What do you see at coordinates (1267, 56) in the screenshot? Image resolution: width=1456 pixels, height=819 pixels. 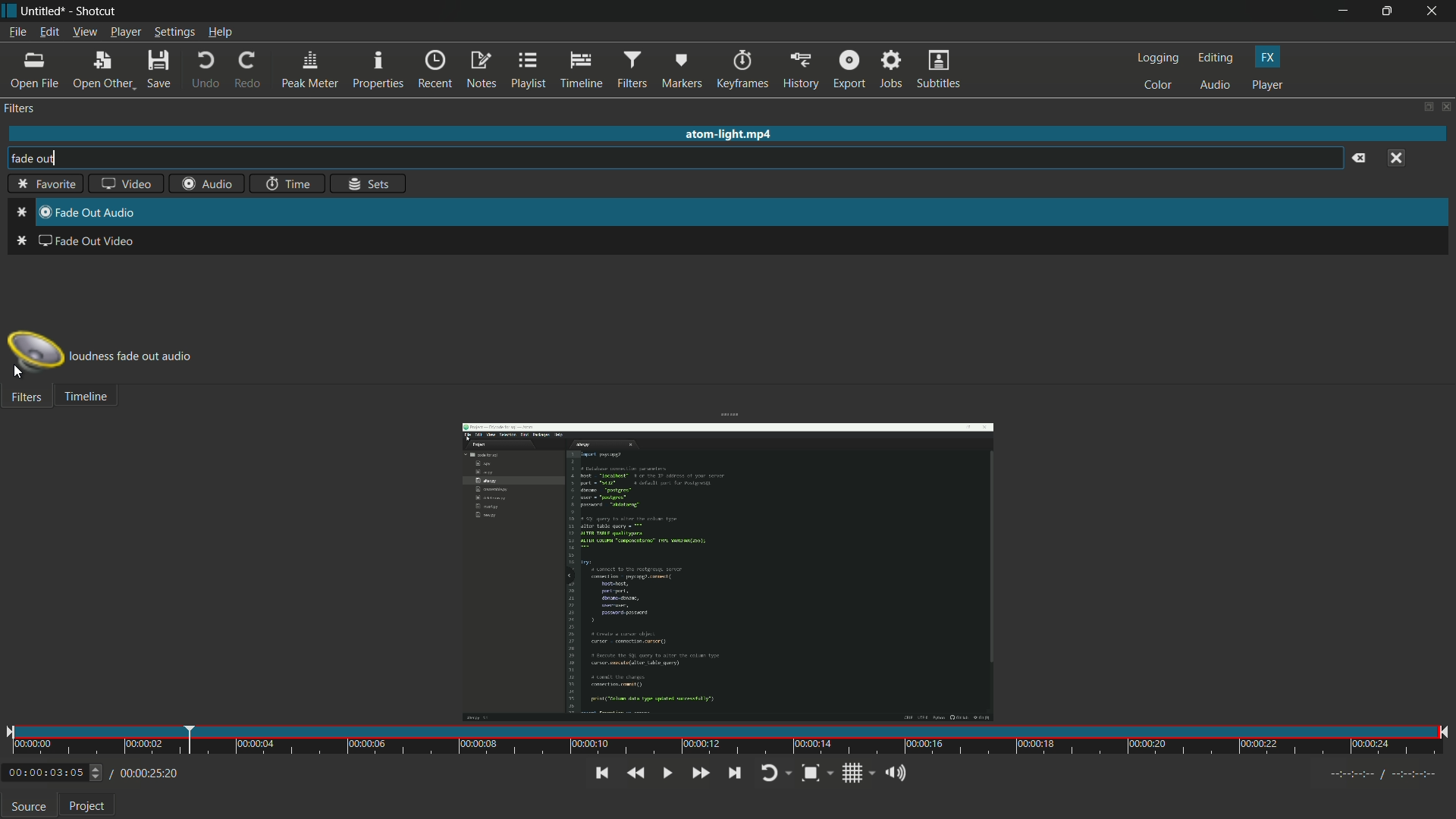 I see `fx` at bounding box center [1267, 56].